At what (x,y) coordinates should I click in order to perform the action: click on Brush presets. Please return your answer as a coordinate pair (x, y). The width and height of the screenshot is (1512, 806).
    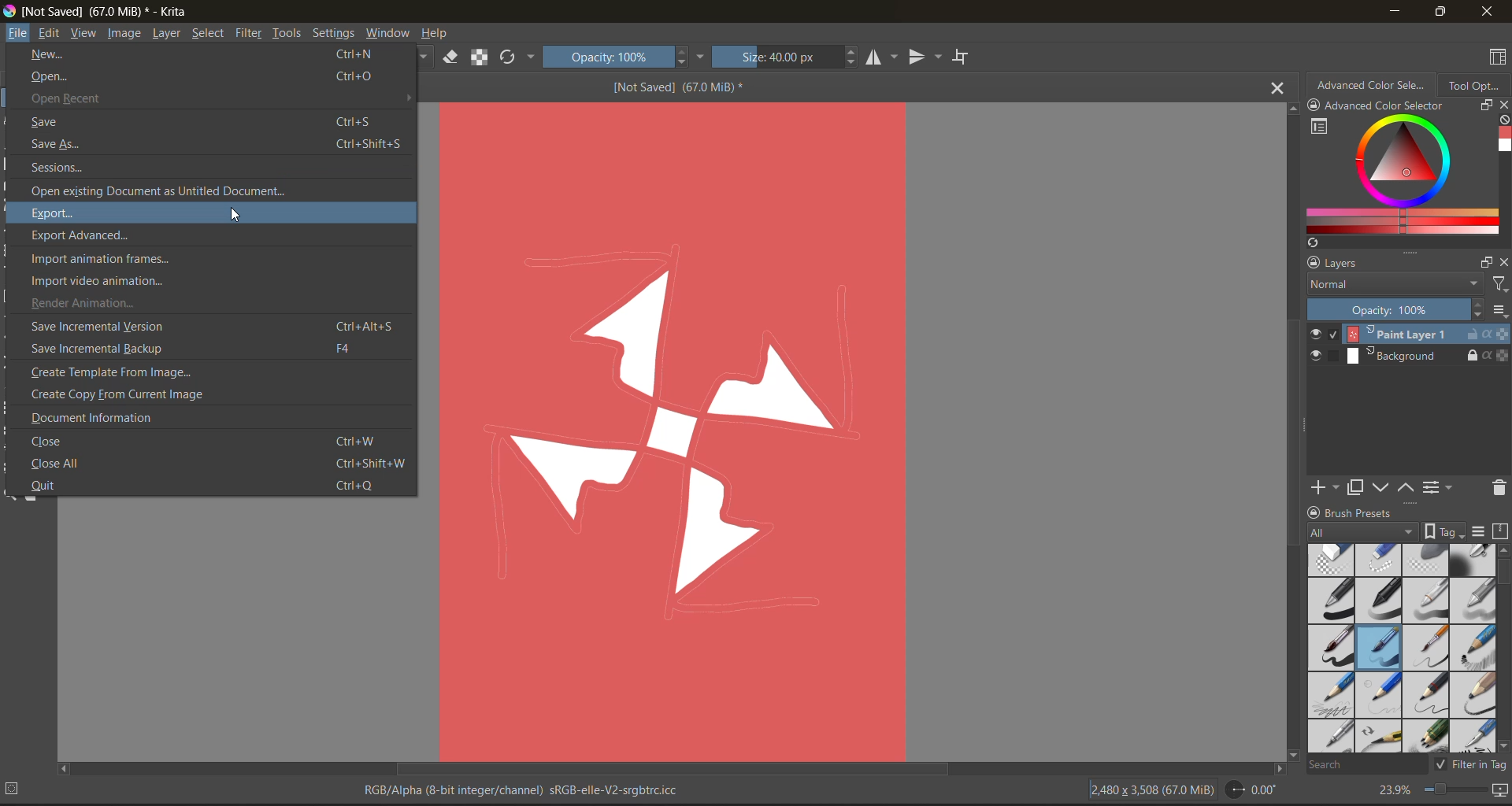
    Looking at the image, I should click on (1384, 513).